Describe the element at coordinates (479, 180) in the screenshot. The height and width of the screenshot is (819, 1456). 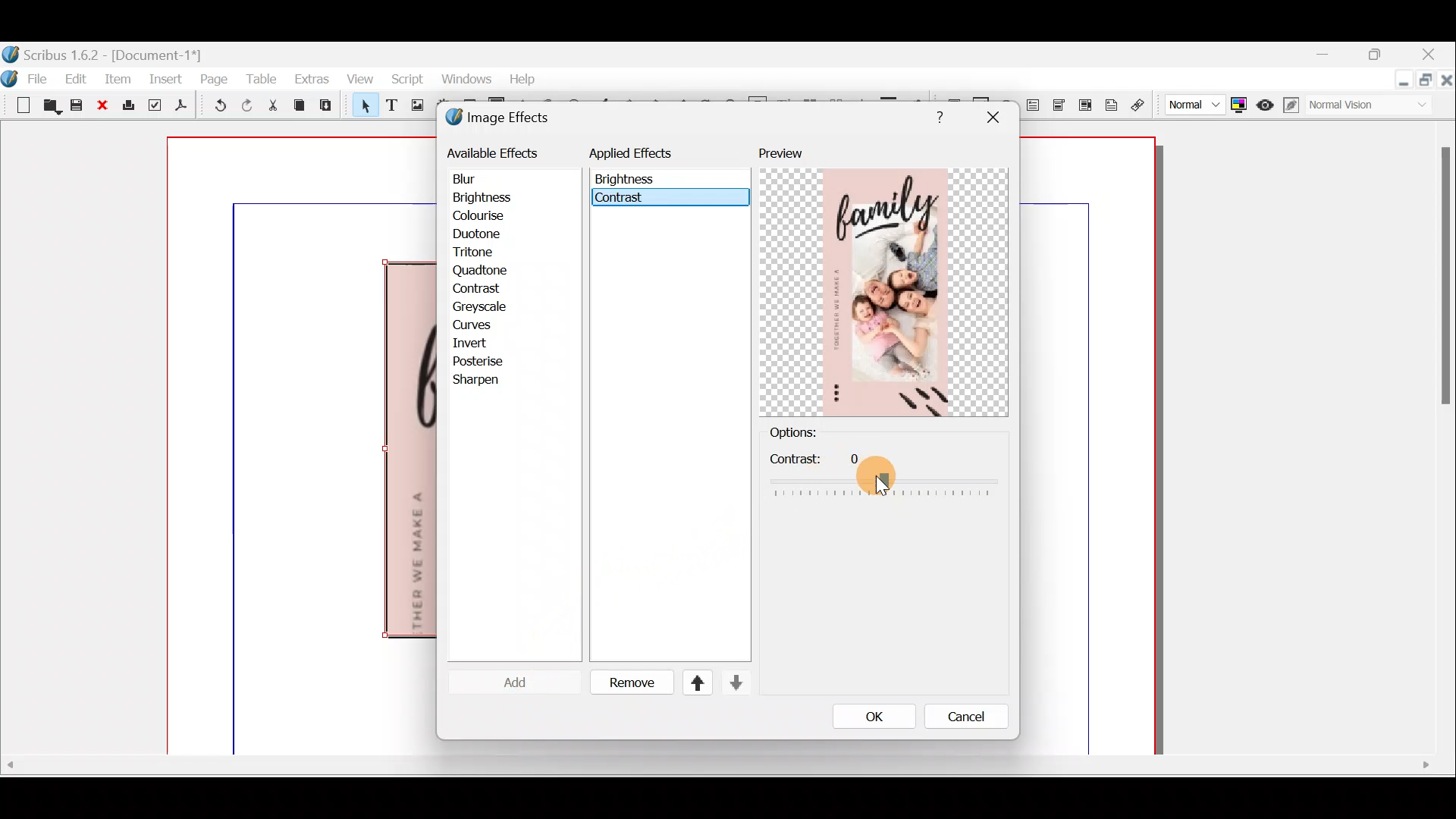
I see `Blur` at that location.